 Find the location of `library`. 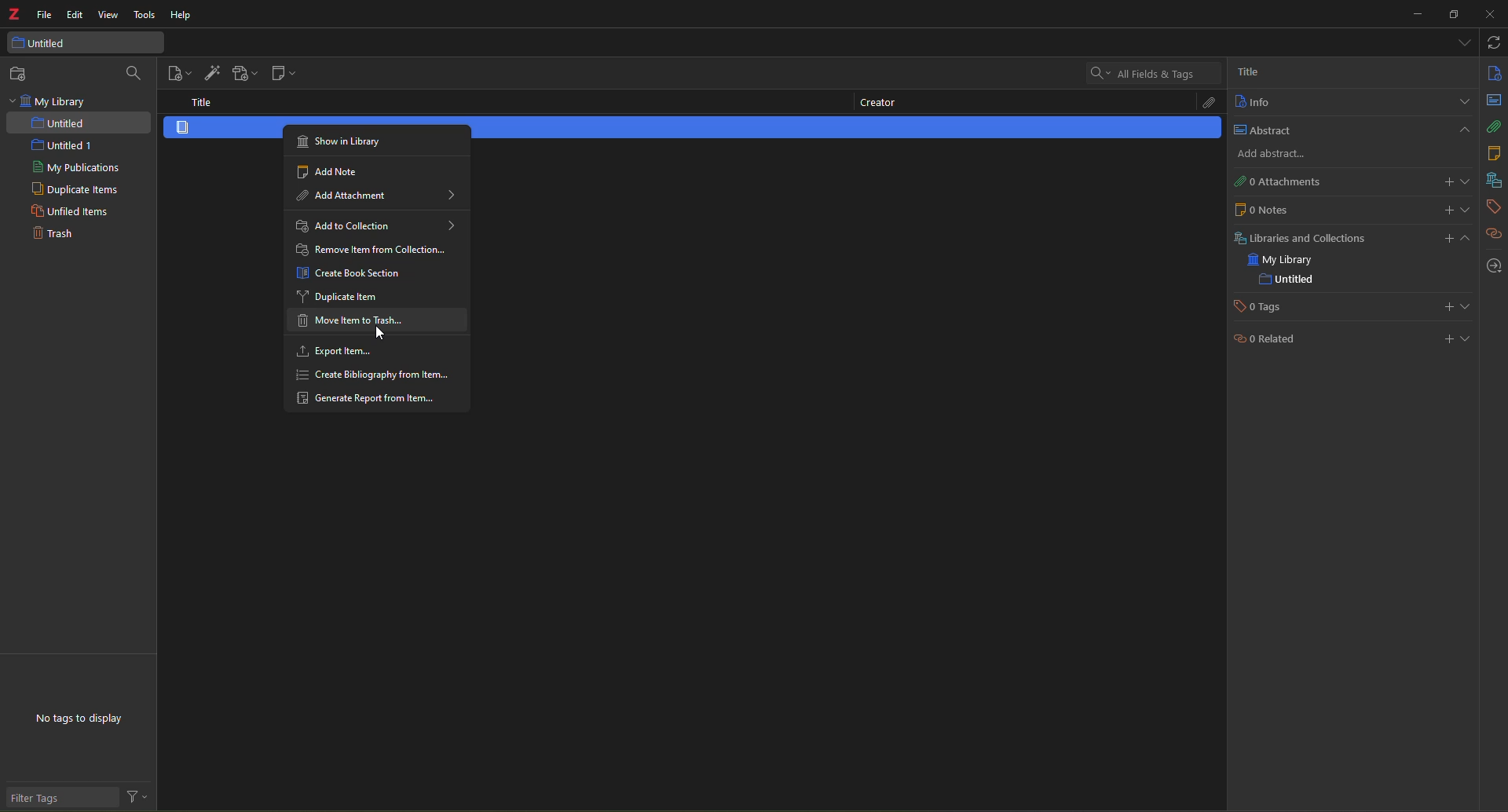

library is located at coordinates (1298, 237).